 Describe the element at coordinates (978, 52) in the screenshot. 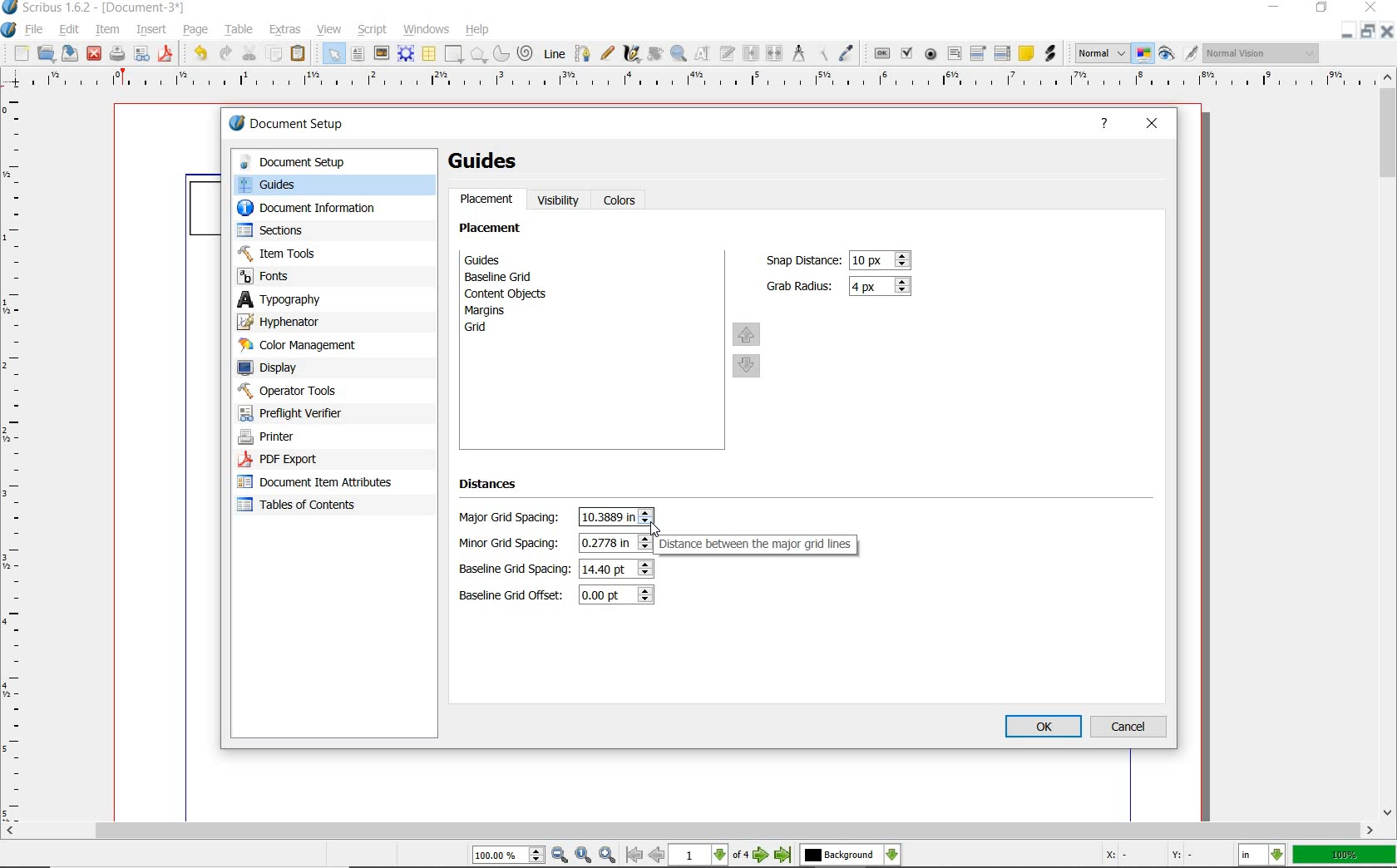

I see `pdf combo box` at that location.